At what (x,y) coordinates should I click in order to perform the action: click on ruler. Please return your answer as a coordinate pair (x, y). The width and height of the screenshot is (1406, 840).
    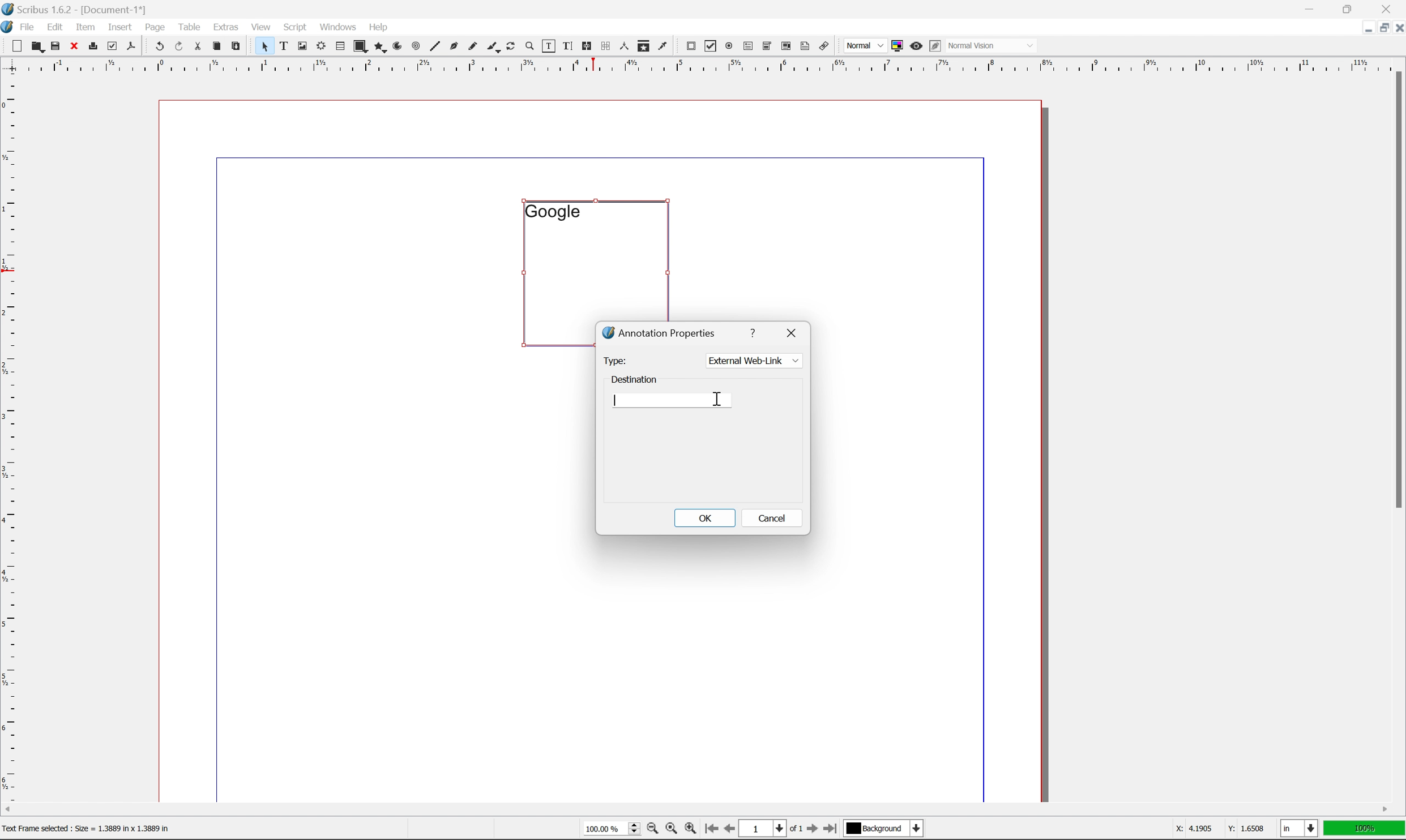
    Looking at the image, I should click on (10, 436).